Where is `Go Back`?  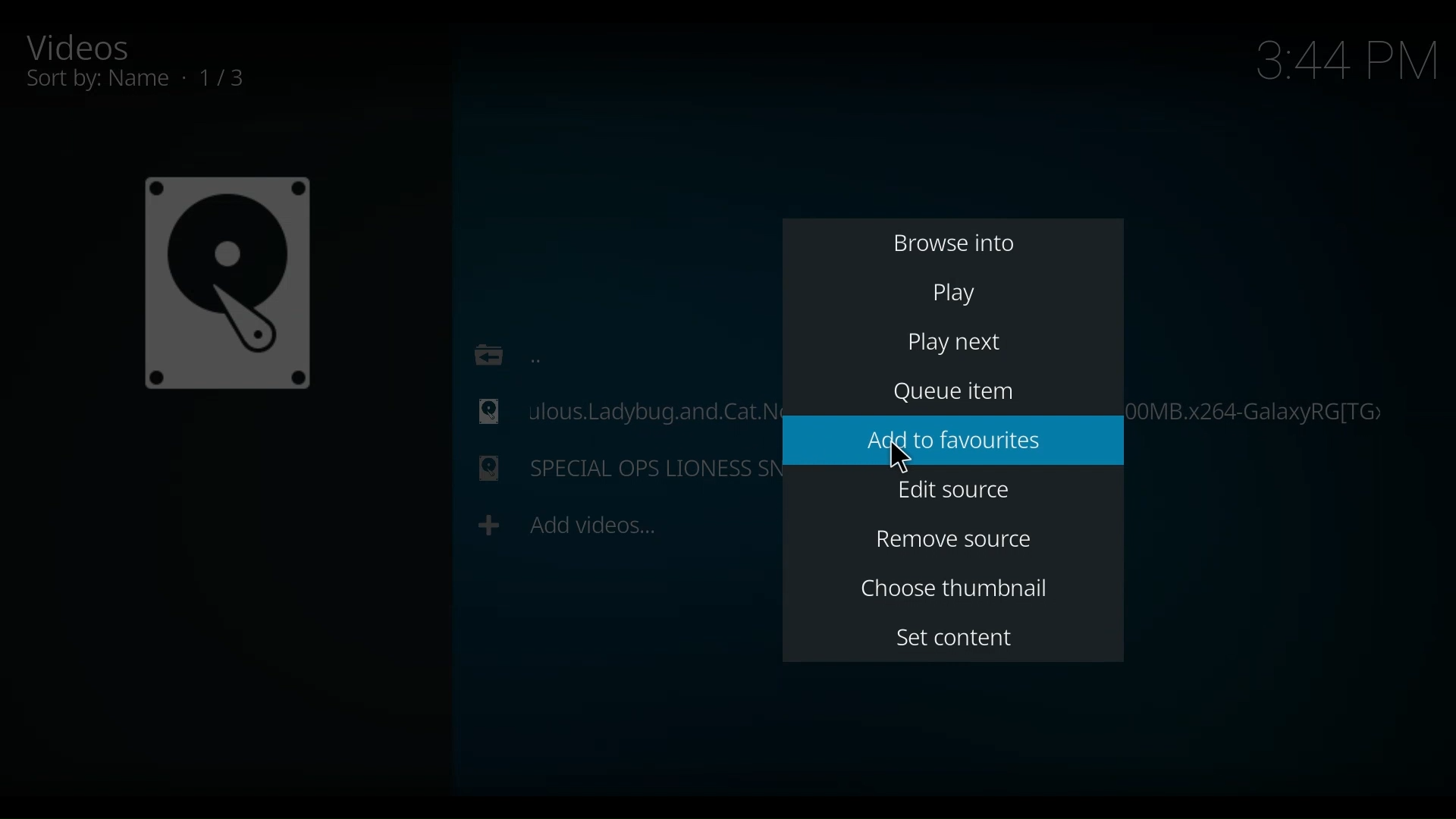 Go Back is located at coordinates (502, 352).